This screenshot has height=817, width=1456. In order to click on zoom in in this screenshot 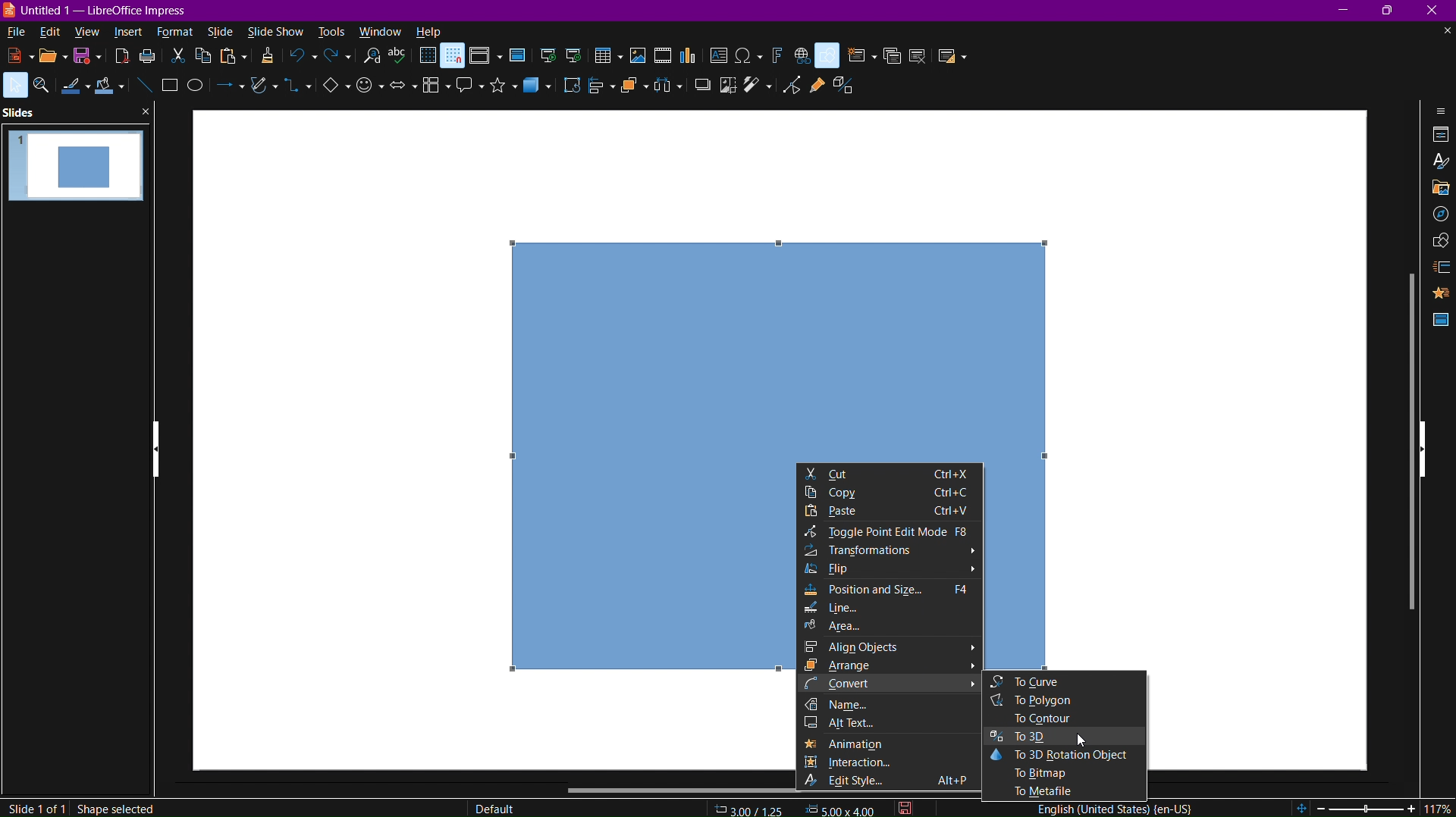, I will do `click(1412, 808)`.